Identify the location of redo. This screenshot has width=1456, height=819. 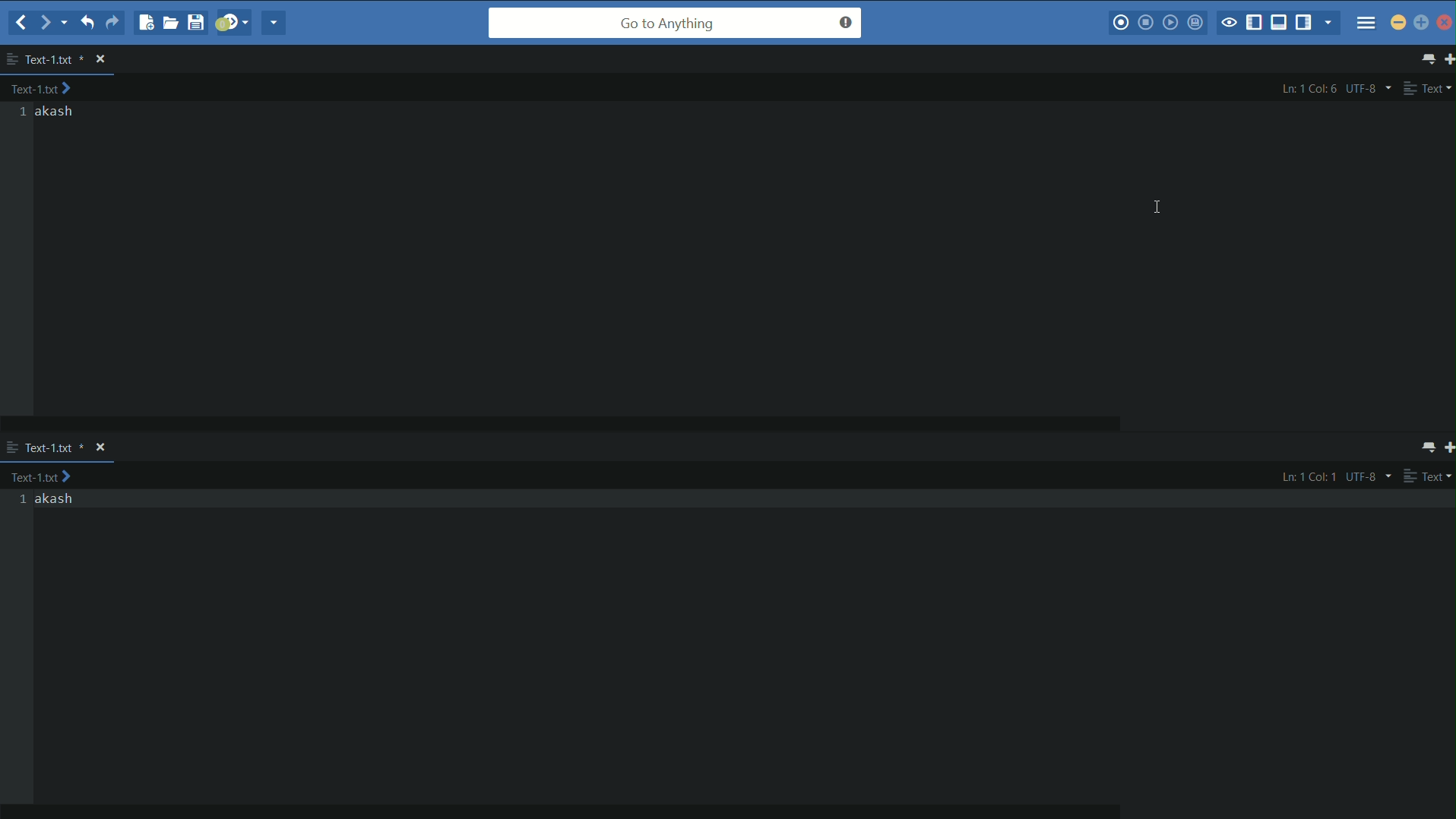
(112, 23).